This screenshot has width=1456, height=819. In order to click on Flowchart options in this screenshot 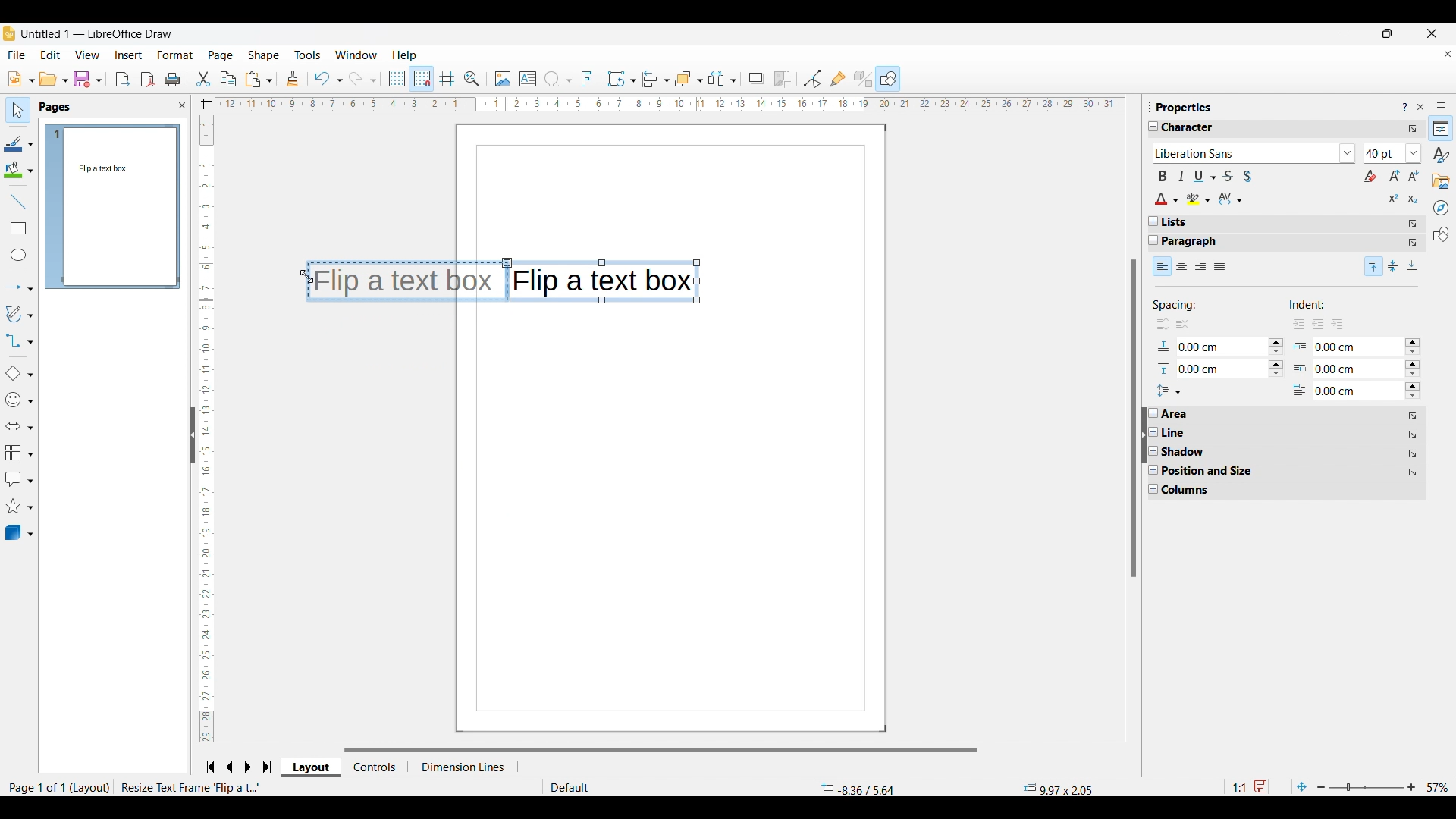, I will do `click(20, 453)`.